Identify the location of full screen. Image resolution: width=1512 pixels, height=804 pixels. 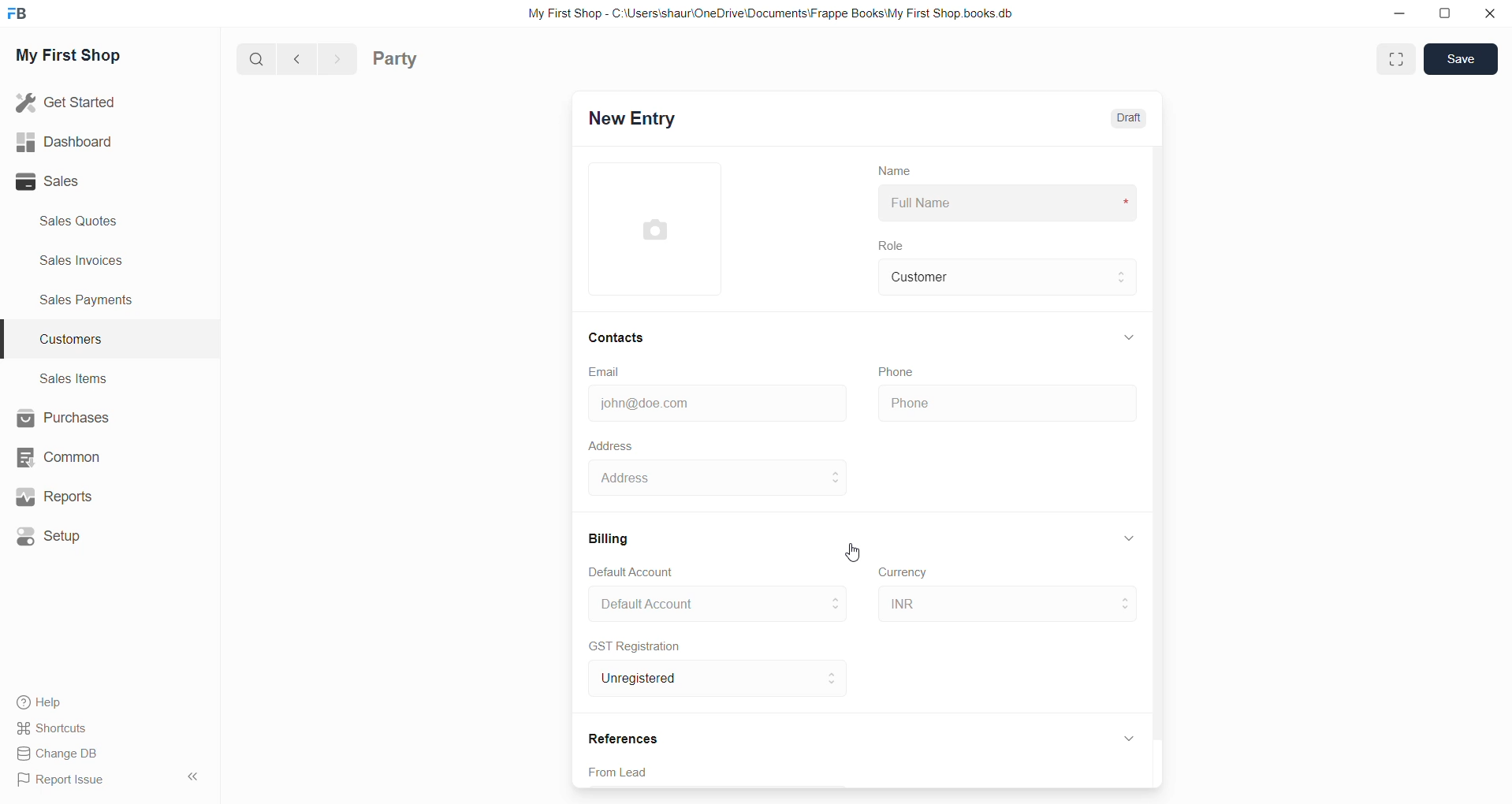
(1397, 60).